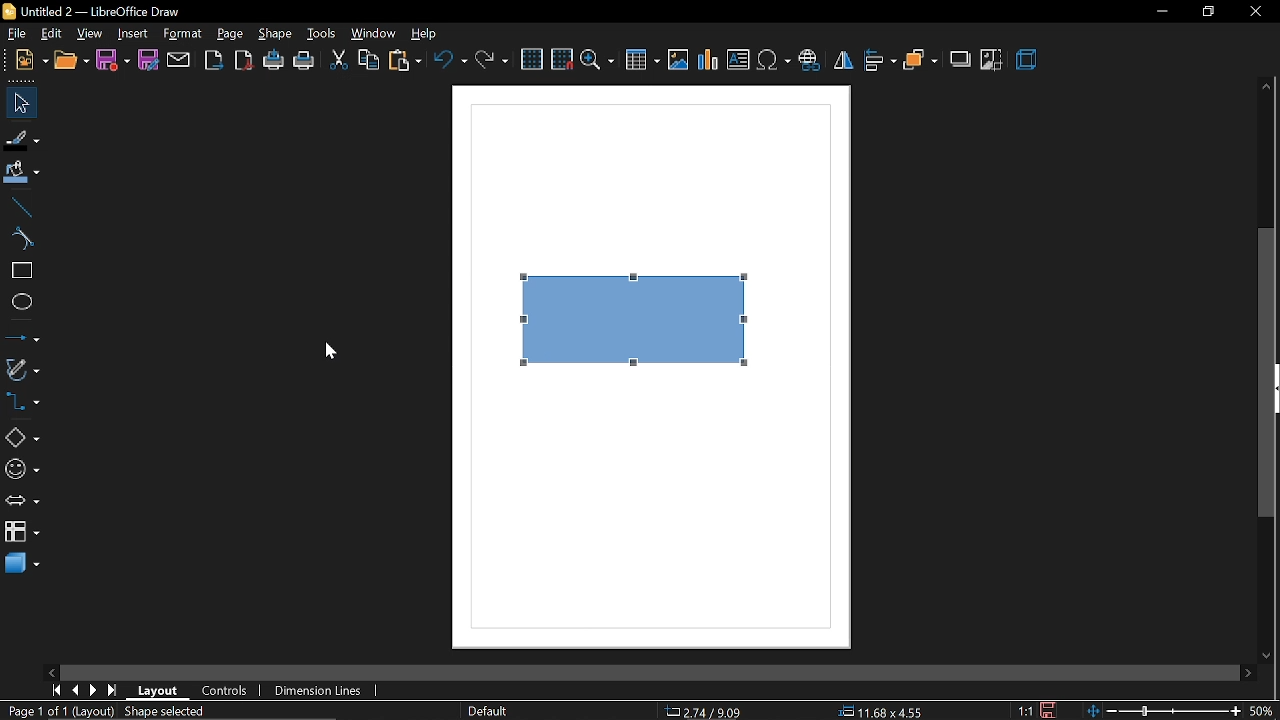 The image size is (1280, 720). I want to click on line, so click(18, 208).